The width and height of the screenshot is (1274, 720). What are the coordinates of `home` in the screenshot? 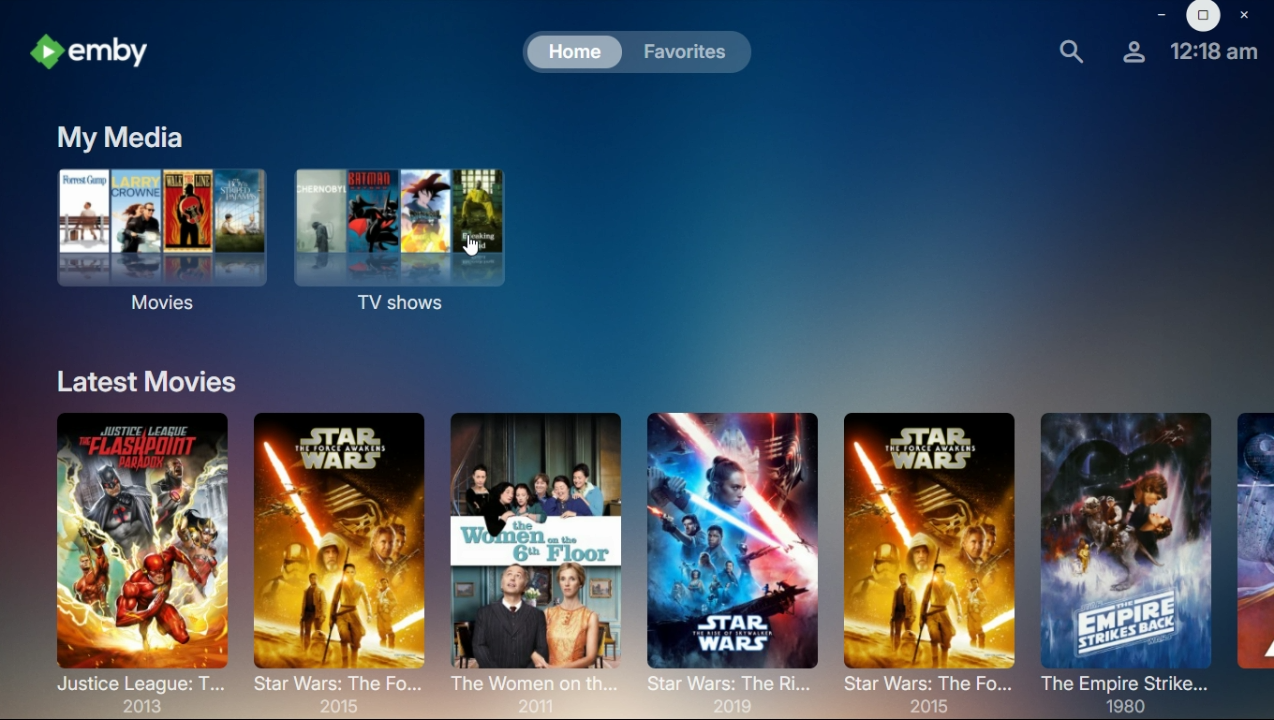 It's located at (576, 53).